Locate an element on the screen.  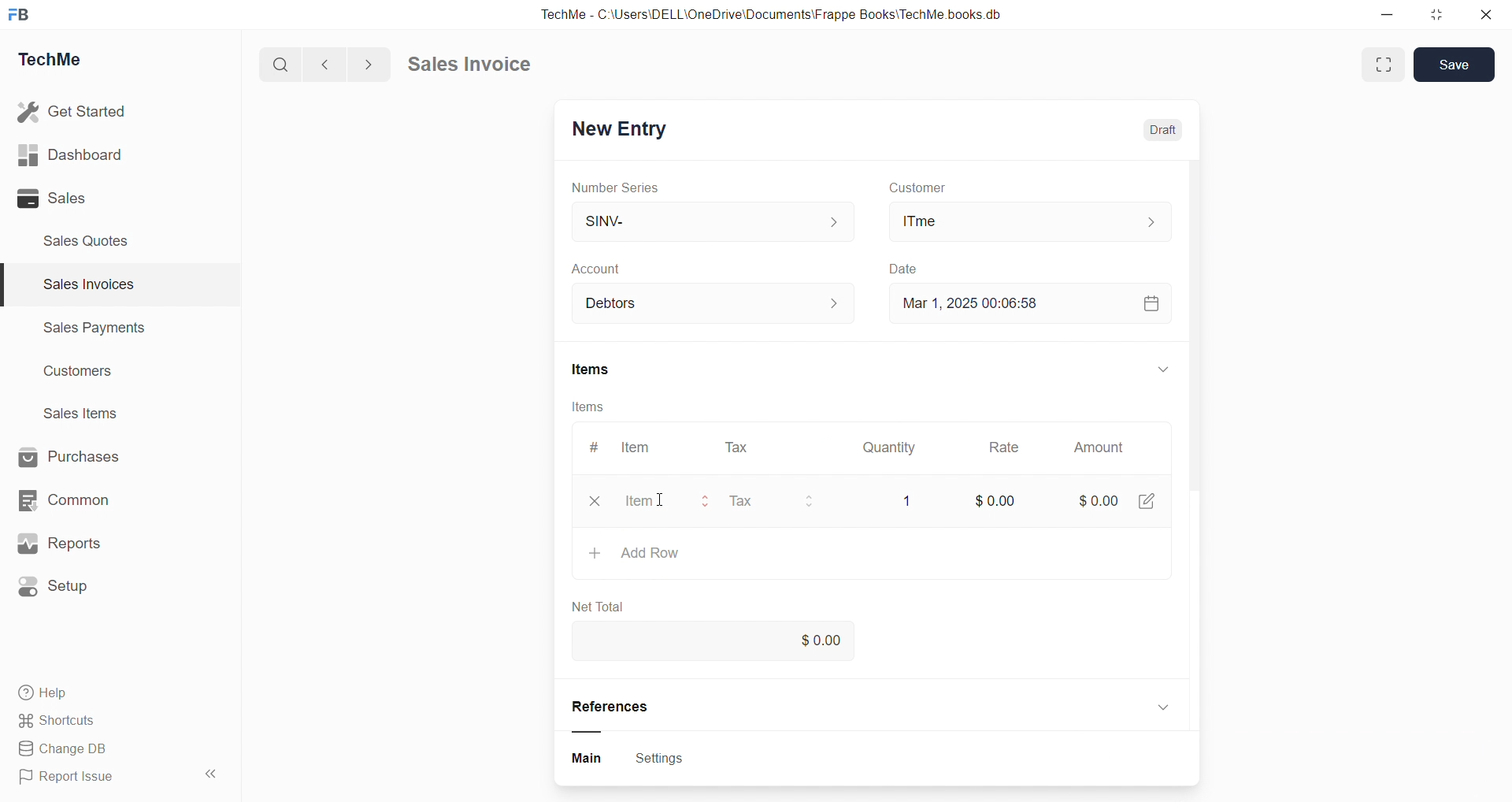
Dropdown is located at coordinates (1161, 704).